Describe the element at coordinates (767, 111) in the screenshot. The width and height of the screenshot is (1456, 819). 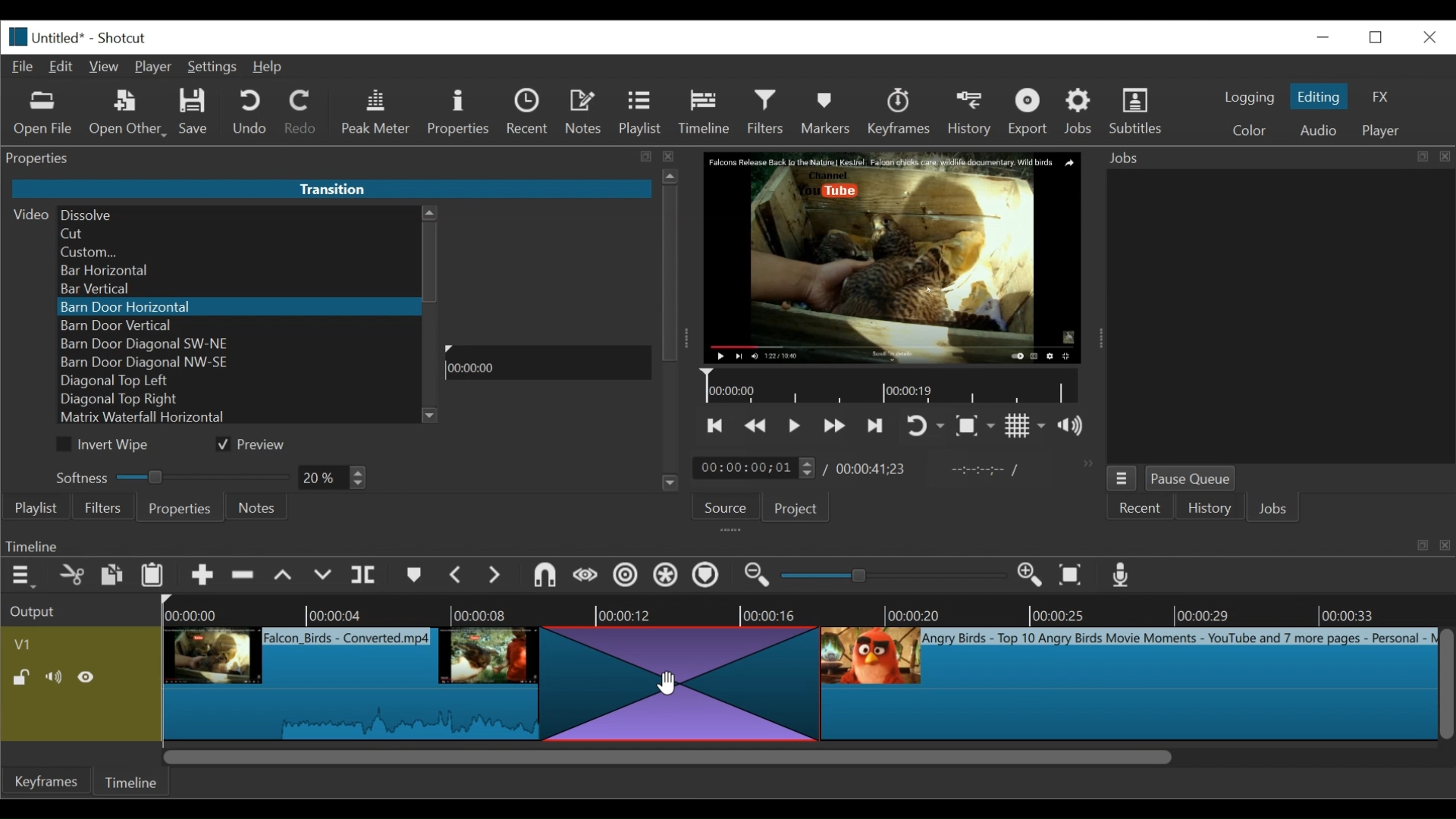
I see `Filters` at that location.